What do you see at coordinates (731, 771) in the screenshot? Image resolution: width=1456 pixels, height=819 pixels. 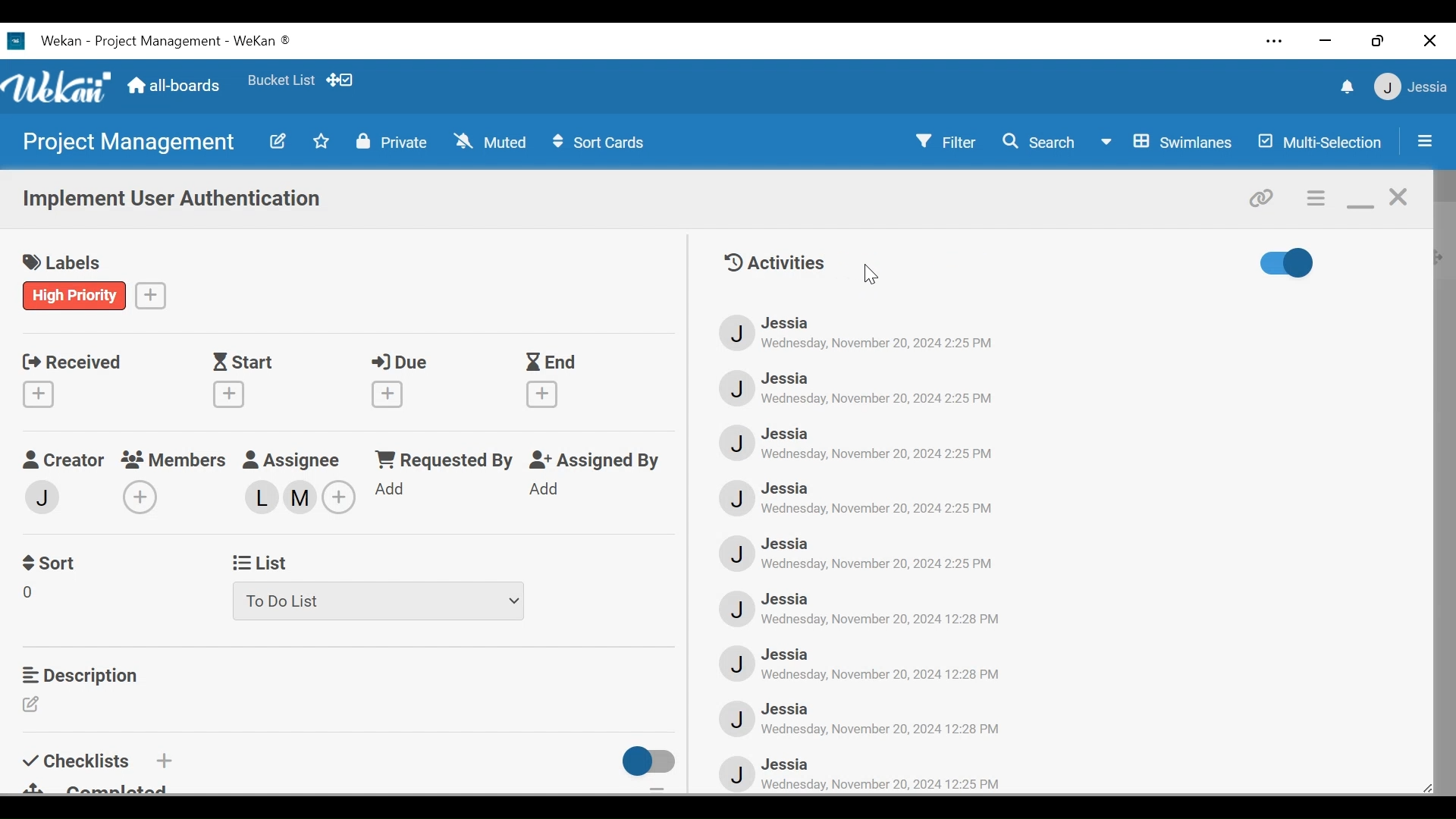 I see `Avatar` at bounding box center [731, 771].